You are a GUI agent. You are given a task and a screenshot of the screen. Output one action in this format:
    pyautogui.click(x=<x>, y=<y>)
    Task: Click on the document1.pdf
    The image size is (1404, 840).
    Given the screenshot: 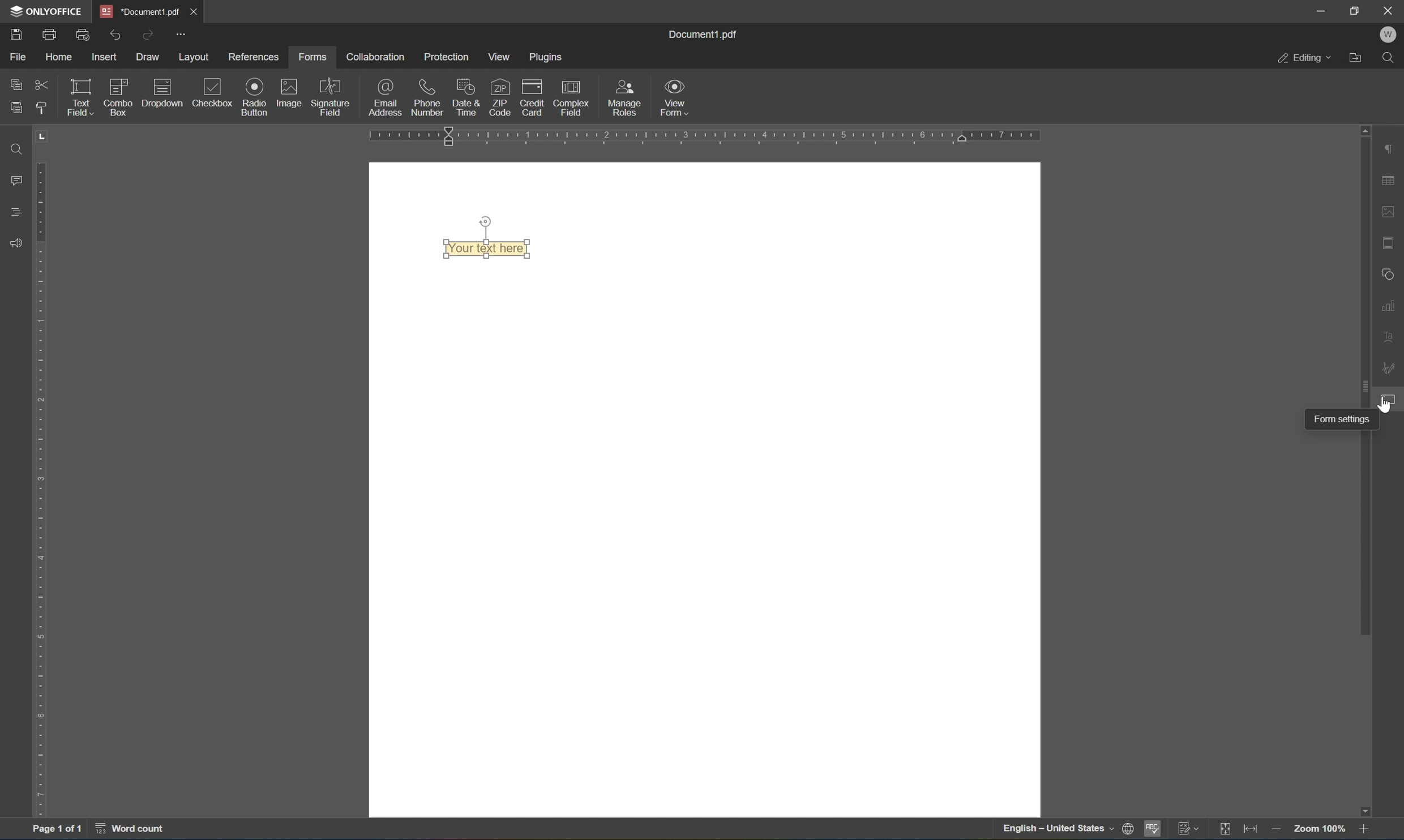 What is the action you would take?
    pyautogui.click(x=707, y=34)
    